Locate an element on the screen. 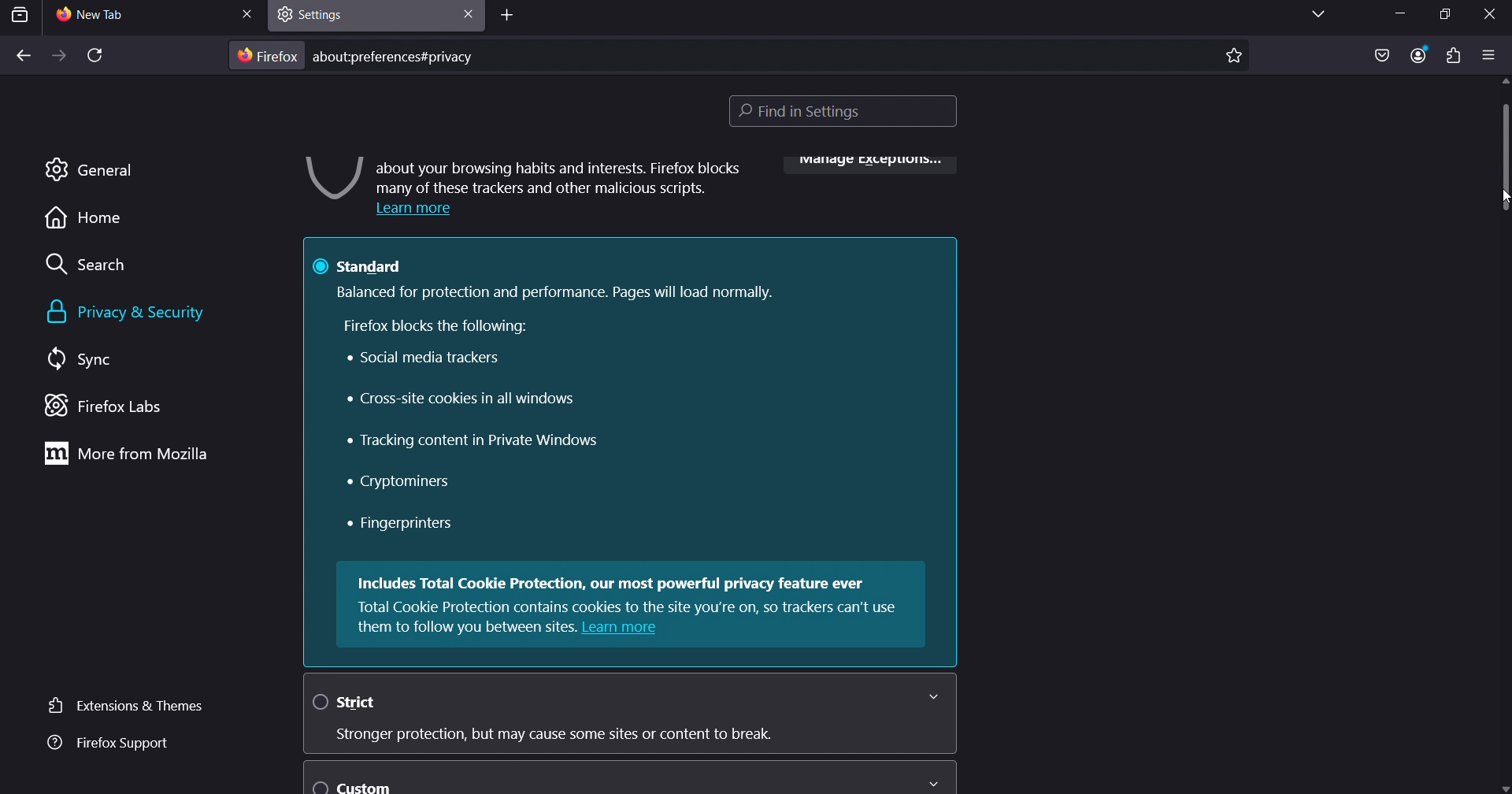  strict Stronger protection, but may cause some sites or content to break. is located at coordinates (629, 714).